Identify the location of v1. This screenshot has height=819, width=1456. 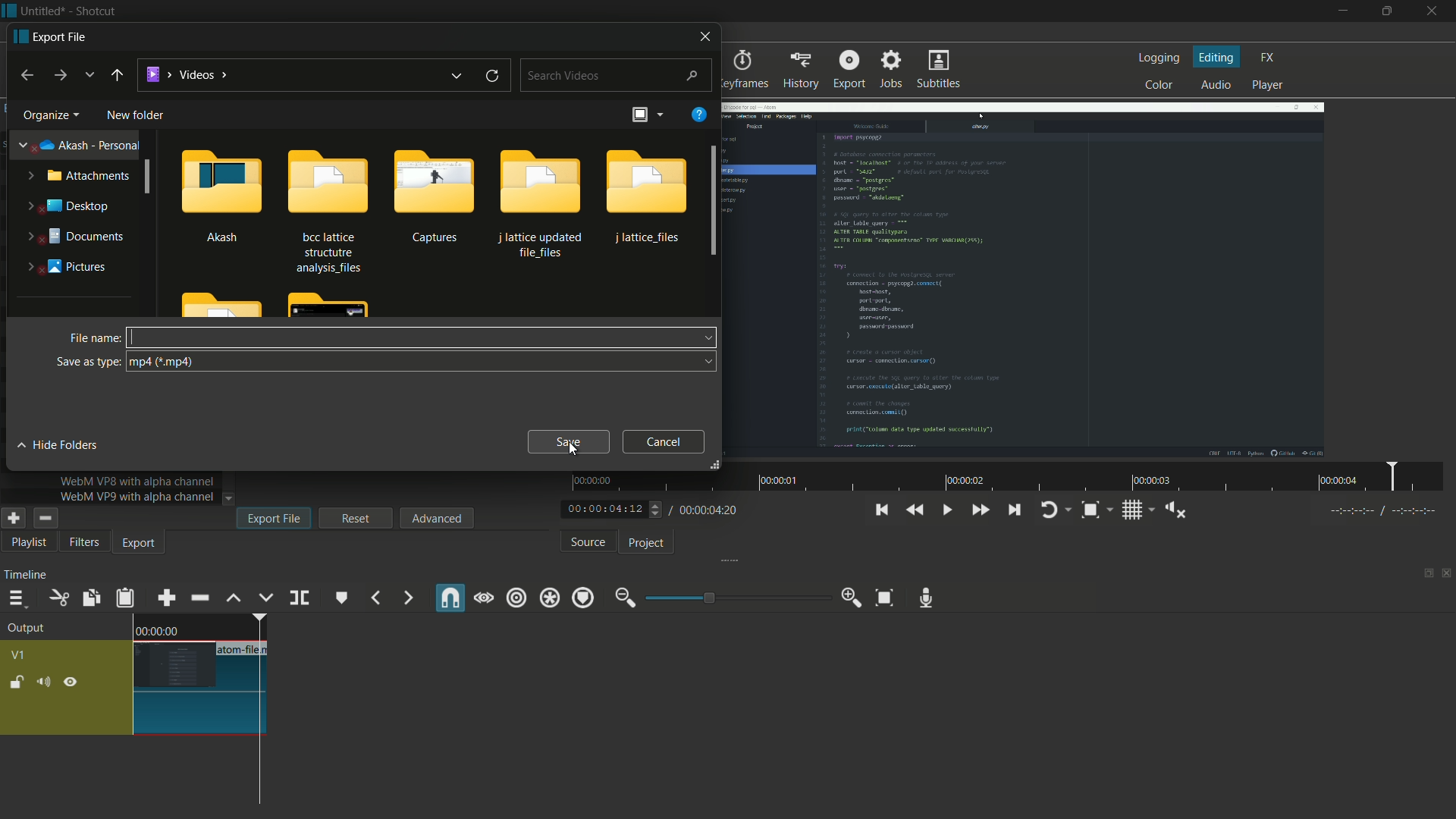
(17, 654).